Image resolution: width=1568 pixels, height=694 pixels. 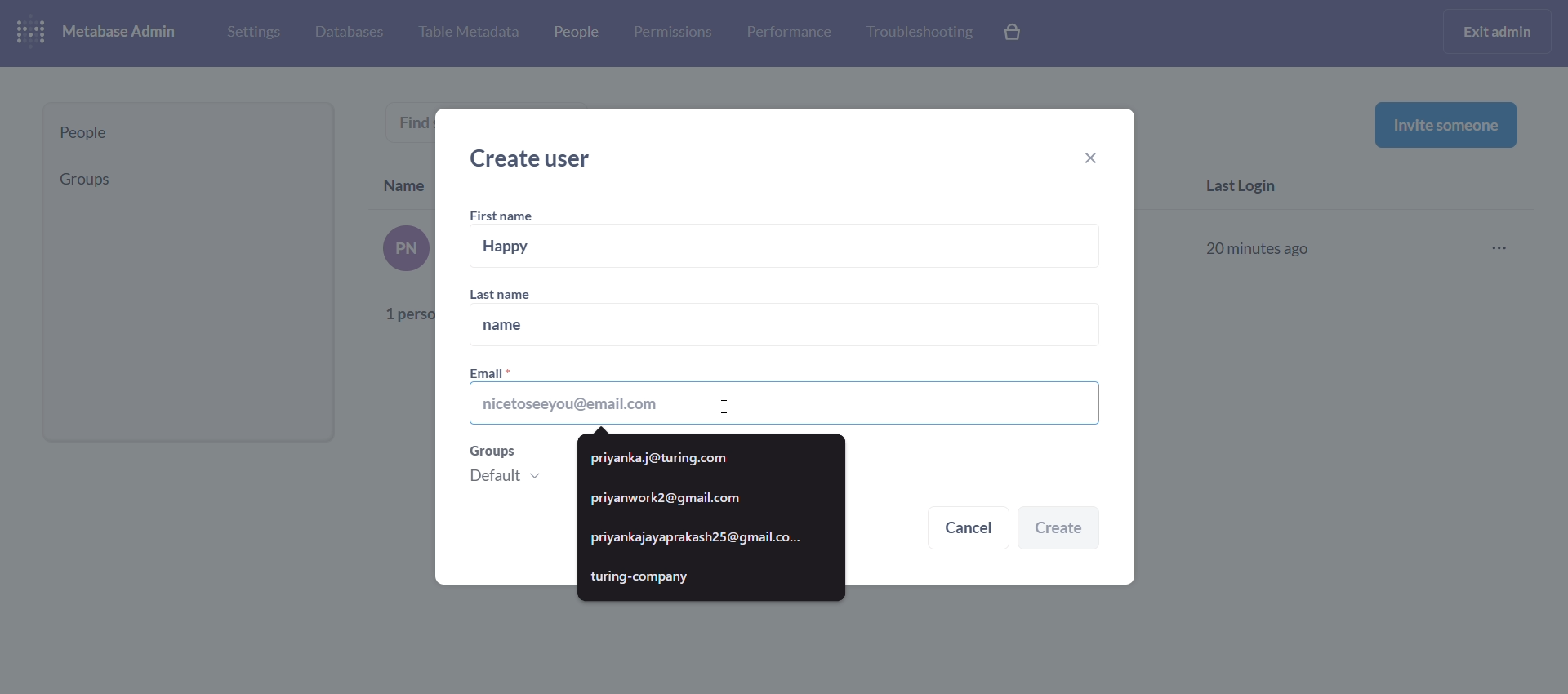 What do you see at coordinates (1098, 160) in the screenshot?
I see `close` at bounding box center [1098, 160].